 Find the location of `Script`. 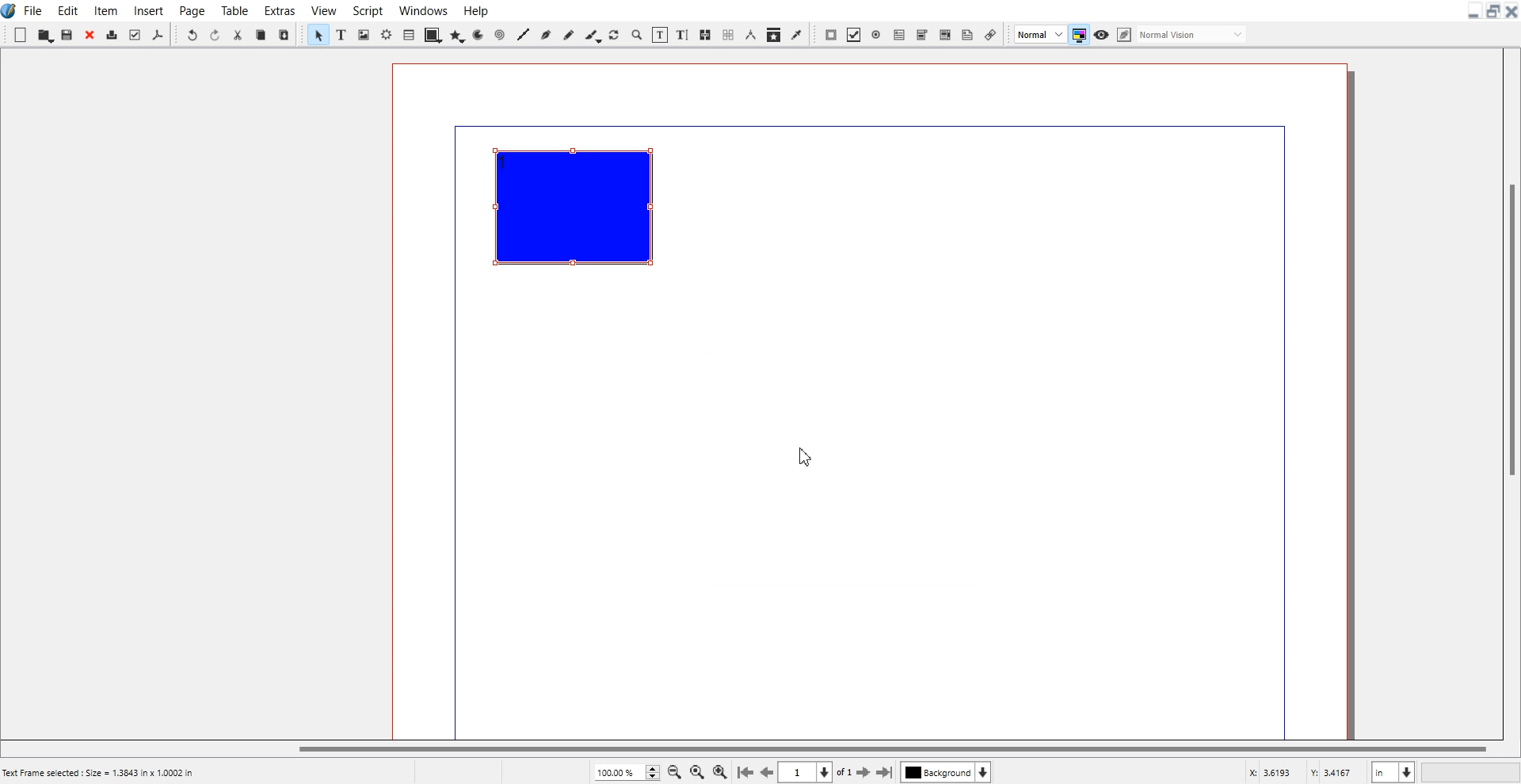

Script is located at coordinates (366, 10).